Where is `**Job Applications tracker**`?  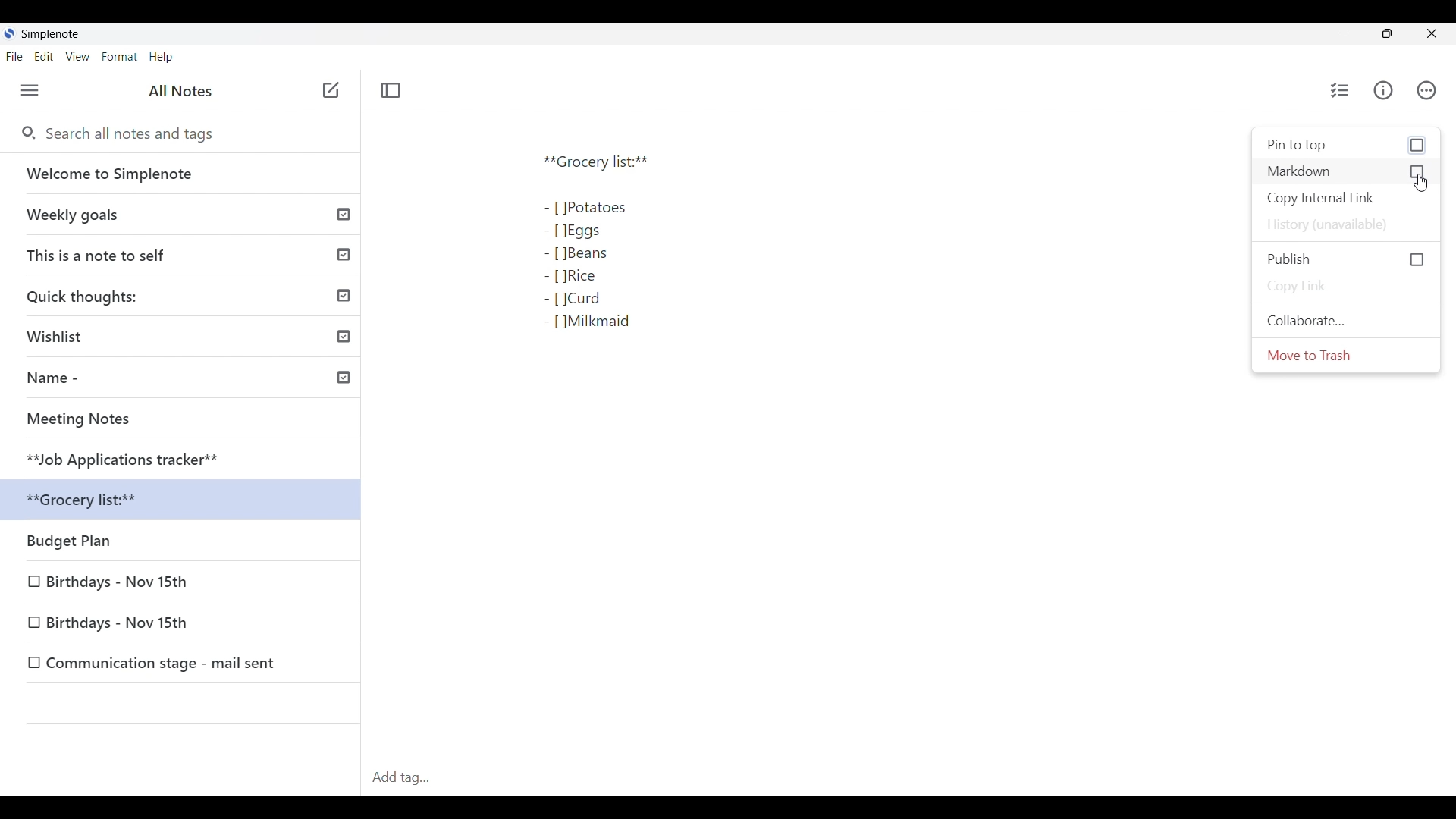 **Job Applications tracker** is located at coordinates (185, 460).